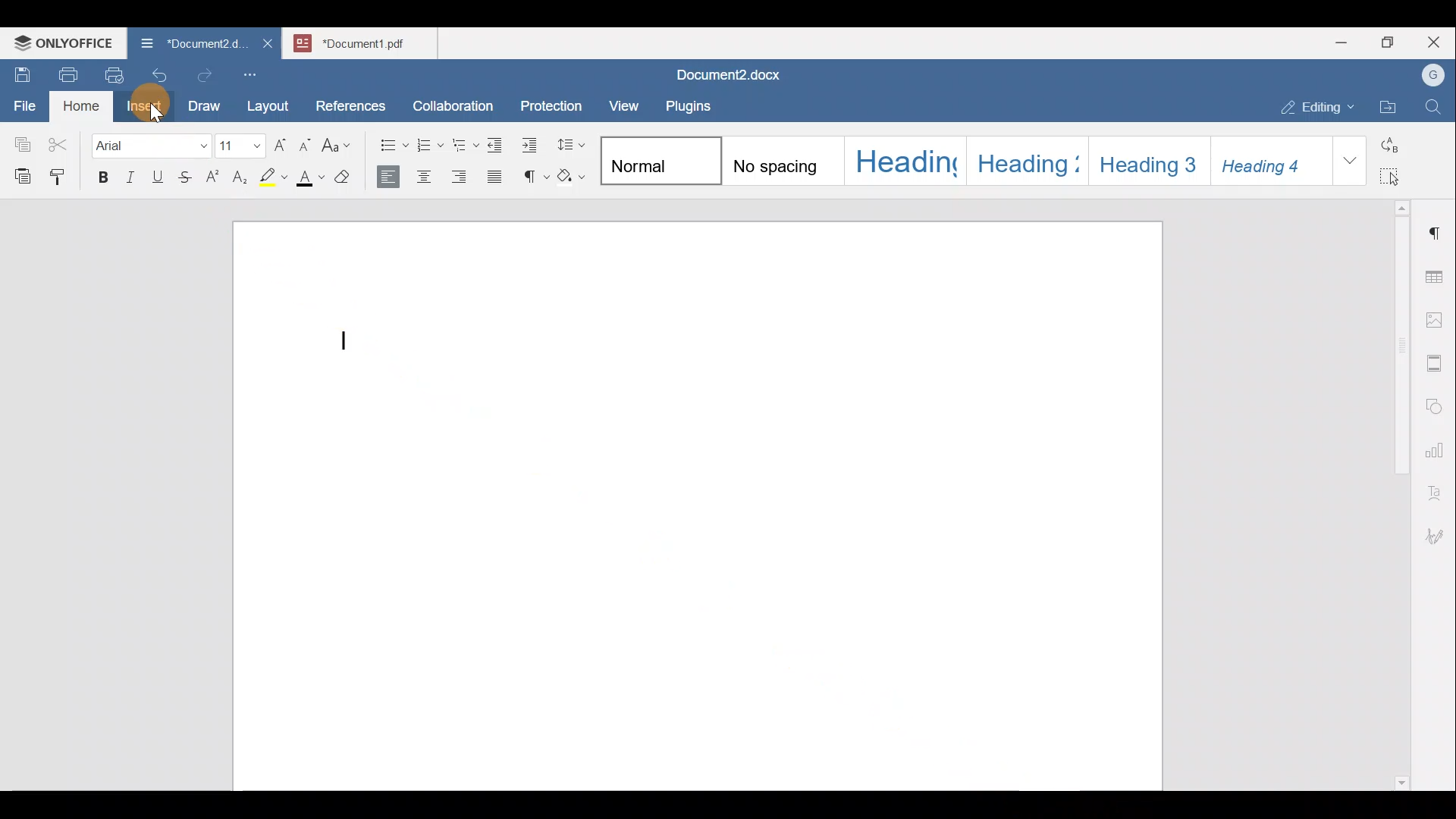 This screenshot has width=1456, height=819. Describe the element at coordinates (1436, 487) in the screenshot. I see `Text Art settings` at that location.